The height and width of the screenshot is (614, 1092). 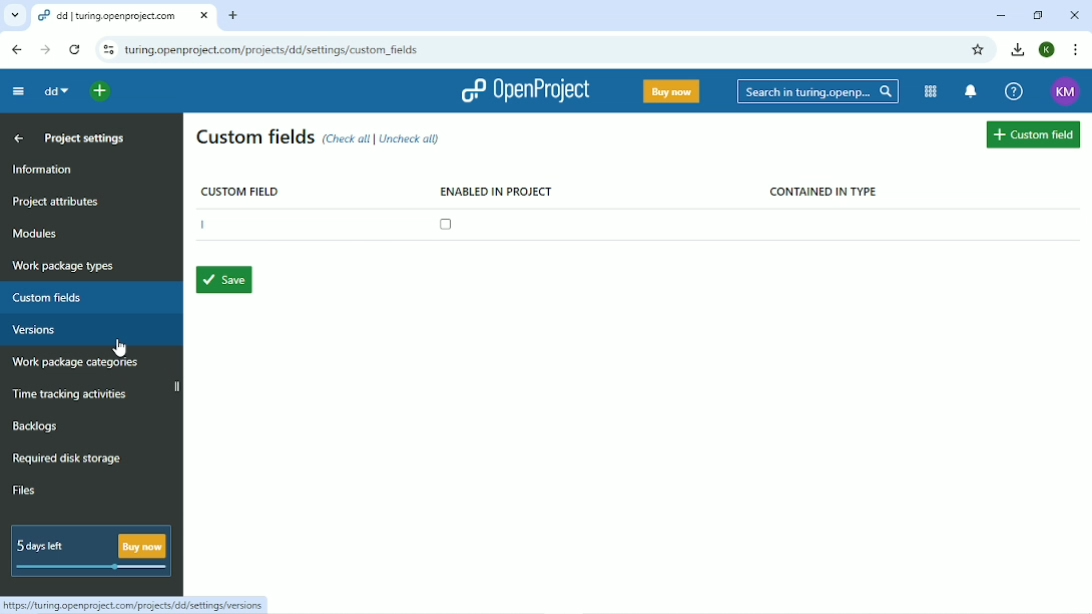 I want to click on Project settings, so click(x=84, y=137).